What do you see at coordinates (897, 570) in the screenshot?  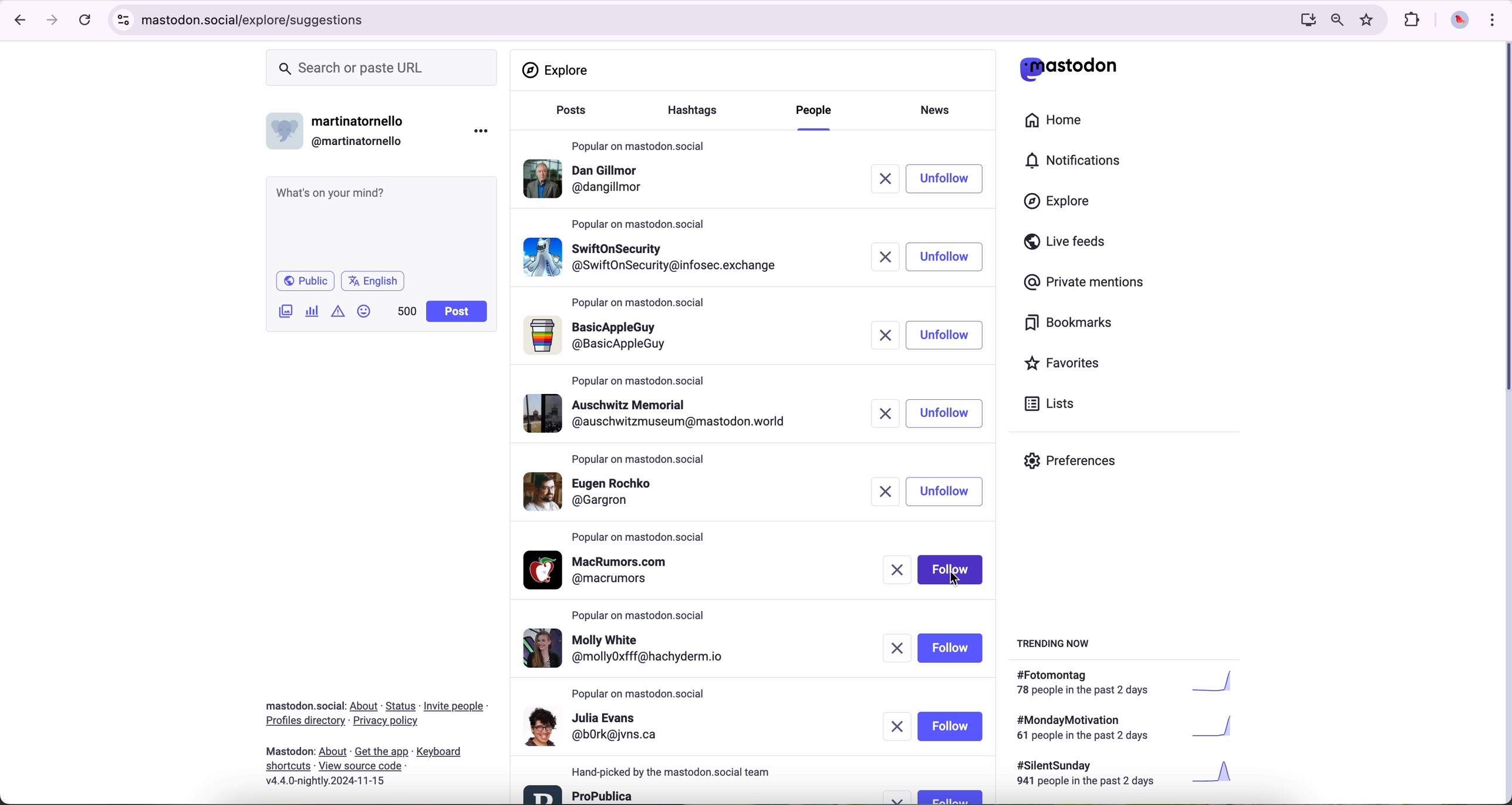 I see `remove` at bounding box center [897, 570].